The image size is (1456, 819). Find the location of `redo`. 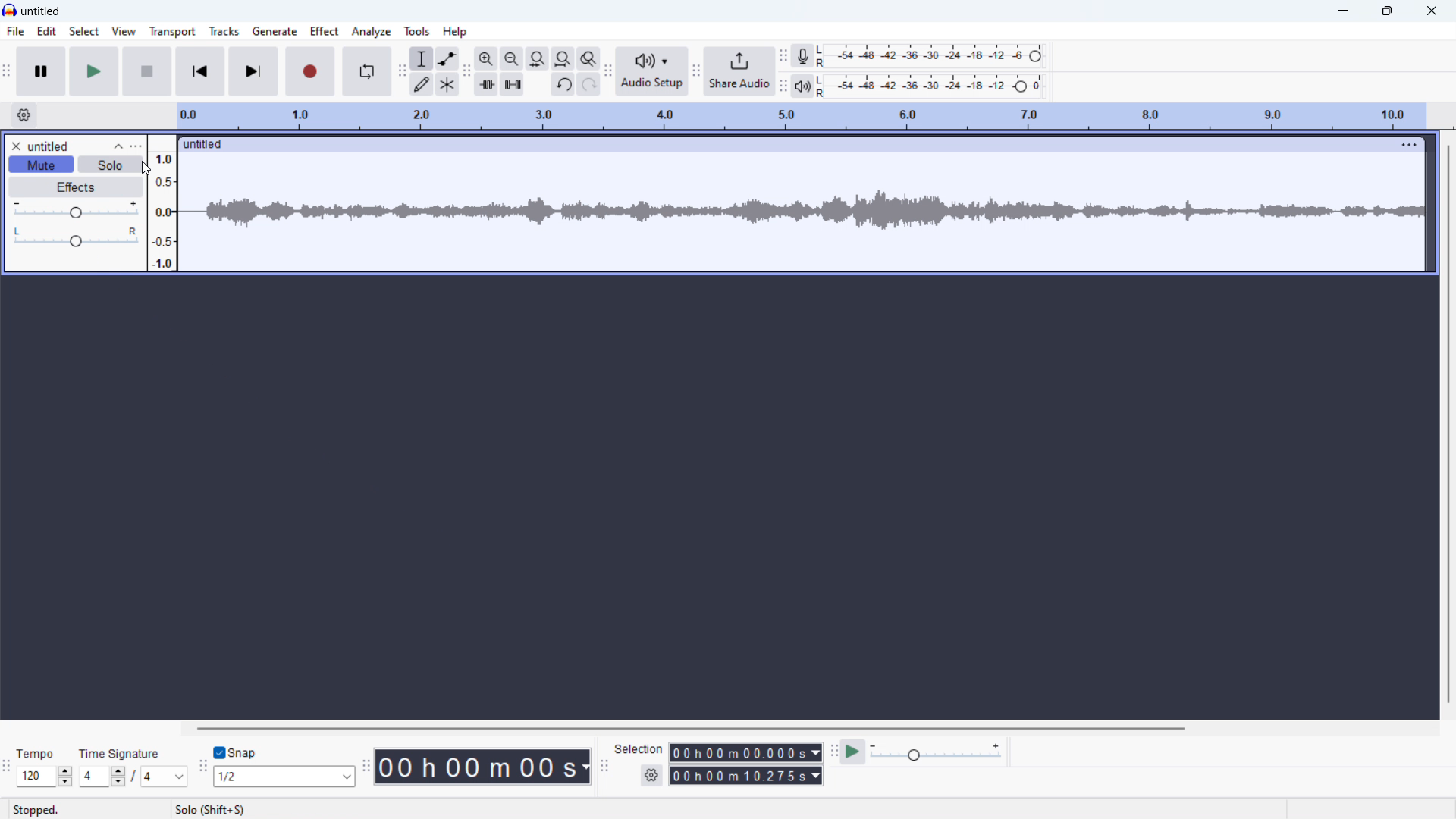

redo is located at coordinates (588, 85).